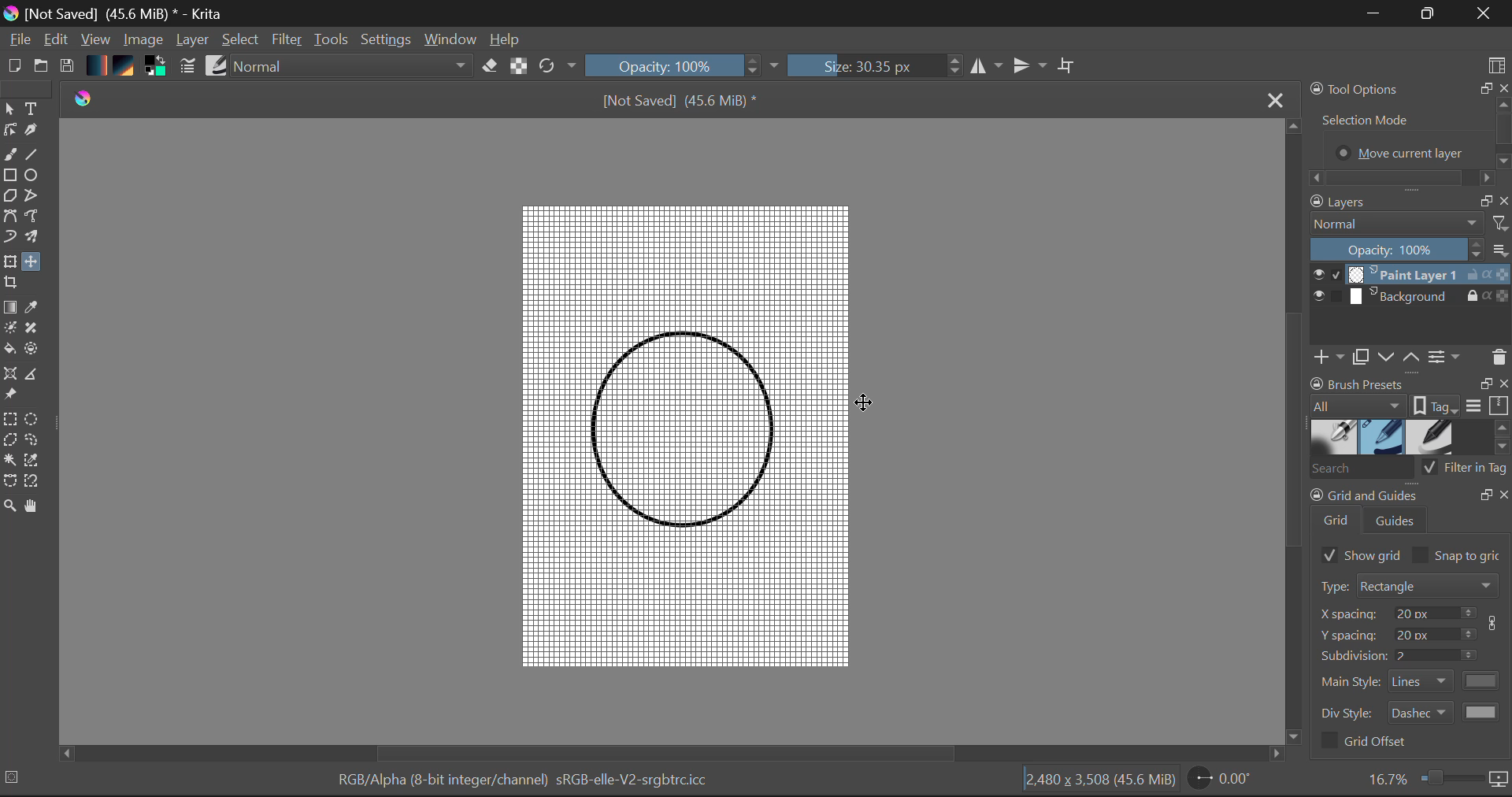  Describe the element at coordinates (1409, 200) in the screenshot. I see `Layers Docket Tab` at that location.